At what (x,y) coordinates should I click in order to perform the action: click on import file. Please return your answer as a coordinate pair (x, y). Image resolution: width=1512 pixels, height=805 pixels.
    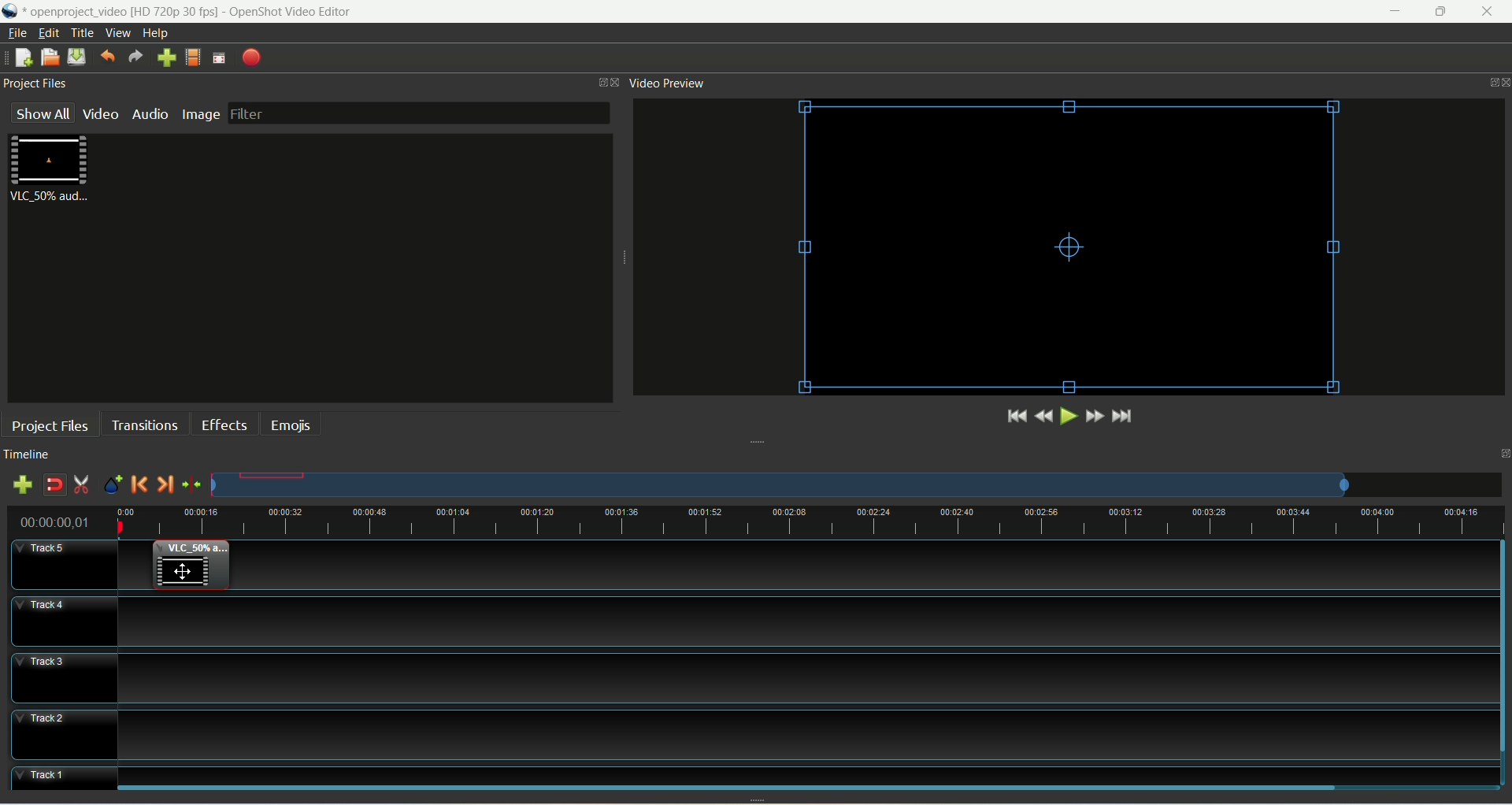
    Looking at the image, I should click on (167, 58).